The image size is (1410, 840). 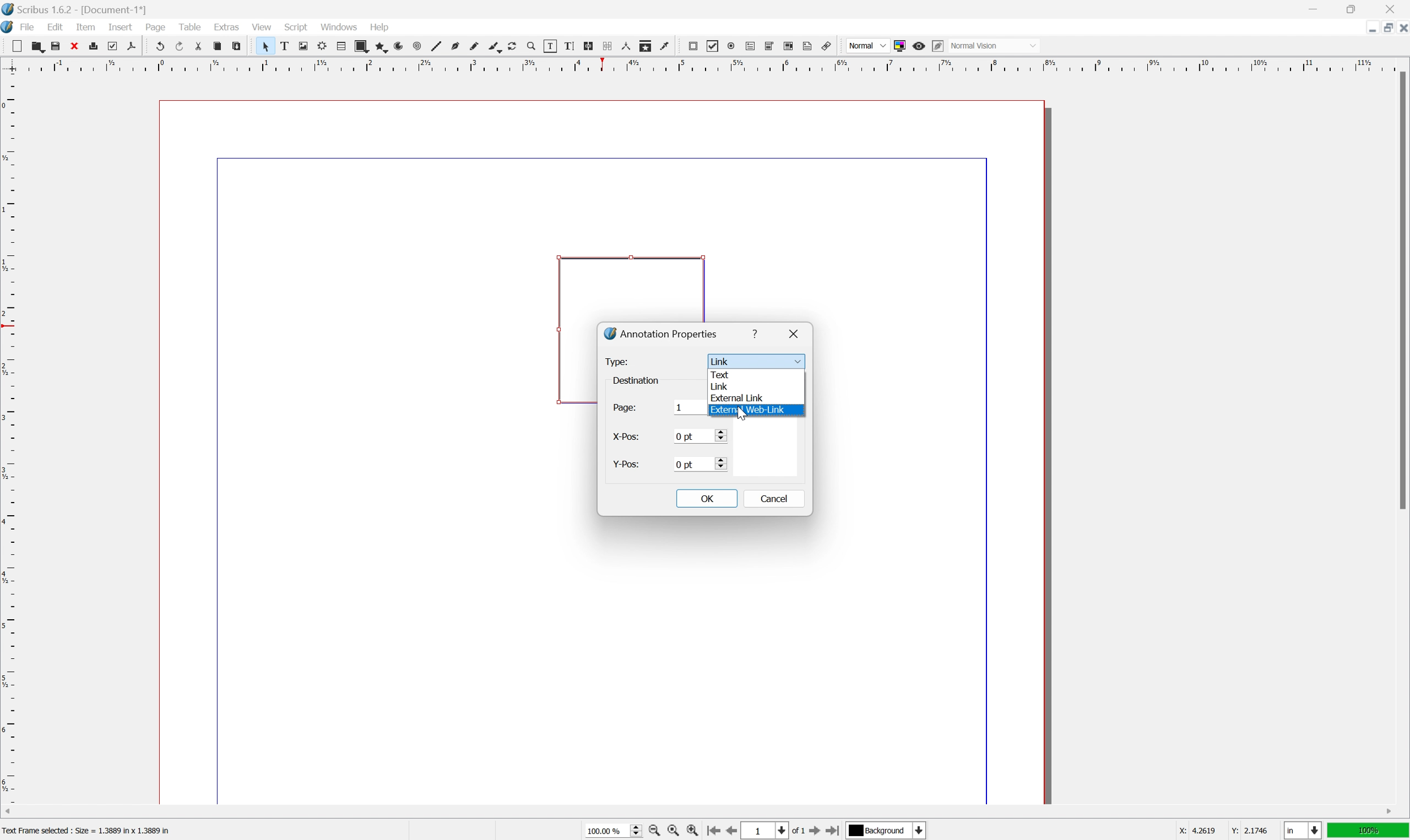 What do you see at coordinates (826, 46) in the screenshot?
I see `link annotation` at bounding box center [826, 46].